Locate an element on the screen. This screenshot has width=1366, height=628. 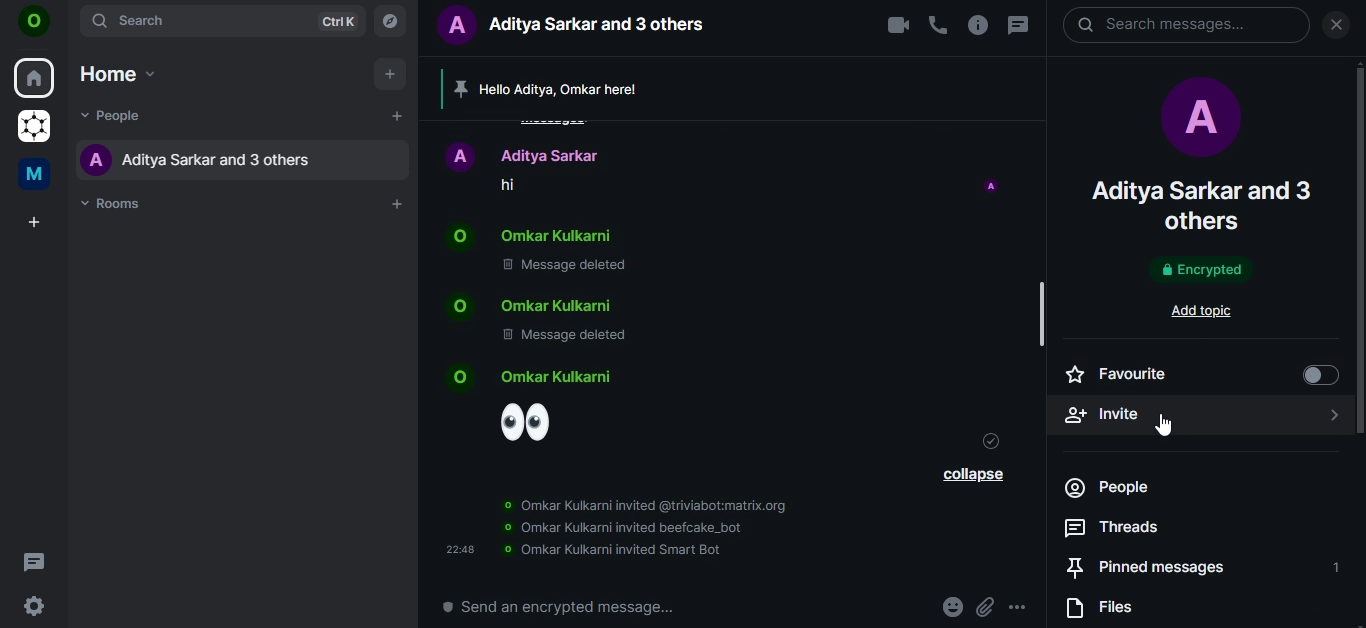
send a encrypted message is located at coordinates (557, 606).